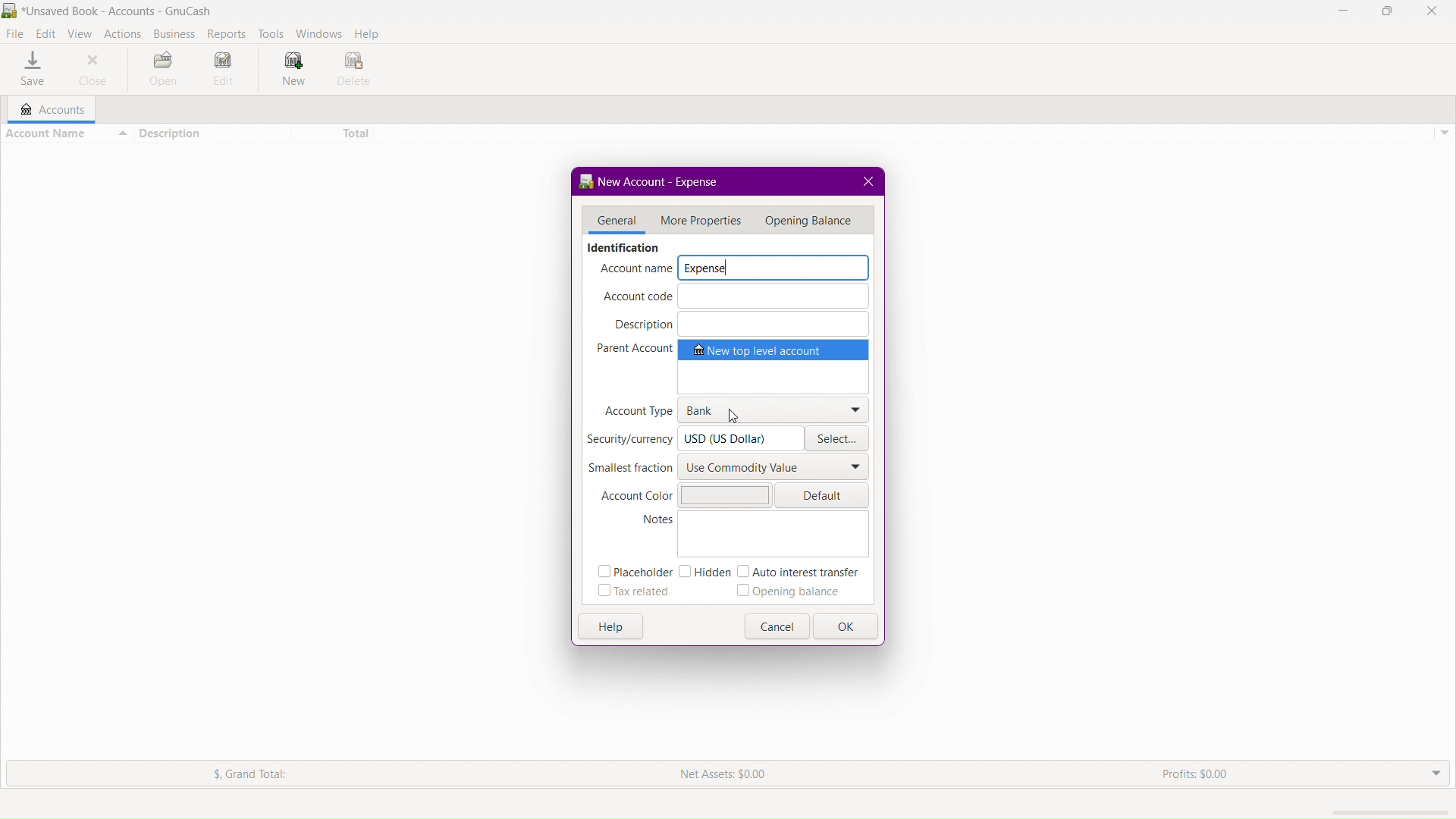 Image resolution: width=1456 pixels, height=819 pixels. I want to click on Description, so click(212, 133).